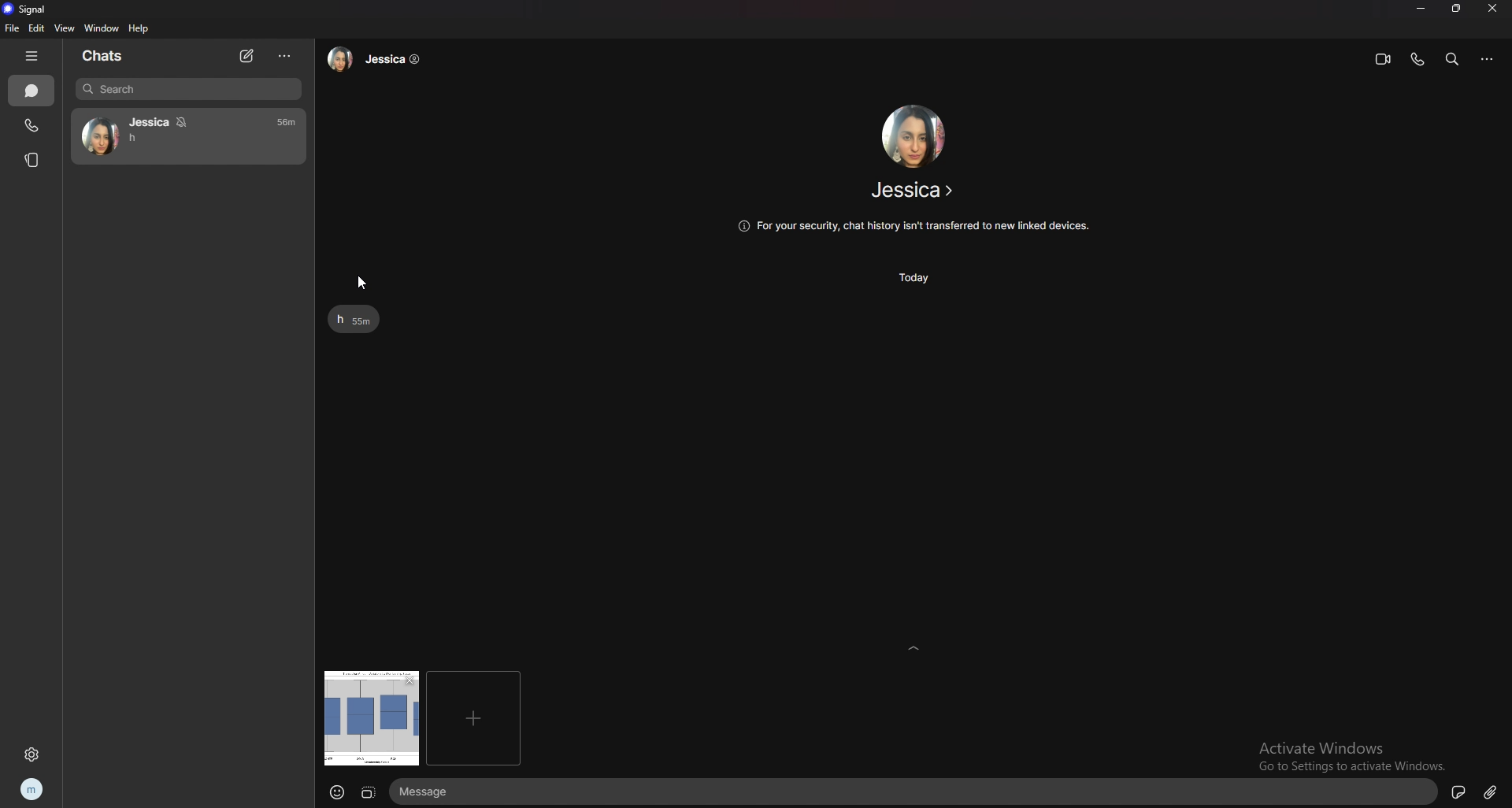 The image size is (1512, 808). What do you see at coordinates (1417, 60) in the screenshot?
I see `voice call` at bounding box center [1417, 60].